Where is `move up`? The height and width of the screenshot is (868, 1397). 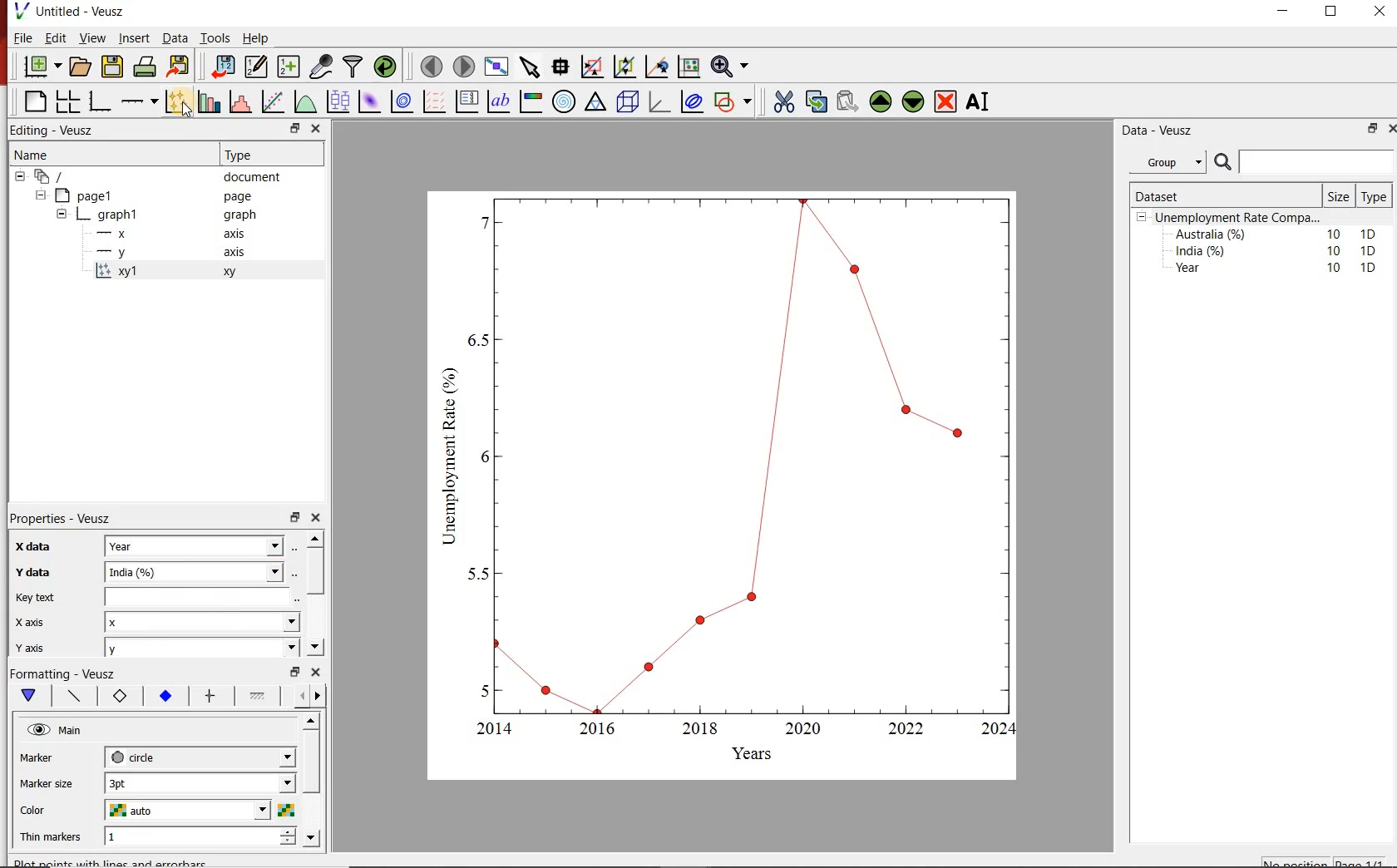 move up is located at coordinates (313, 721).